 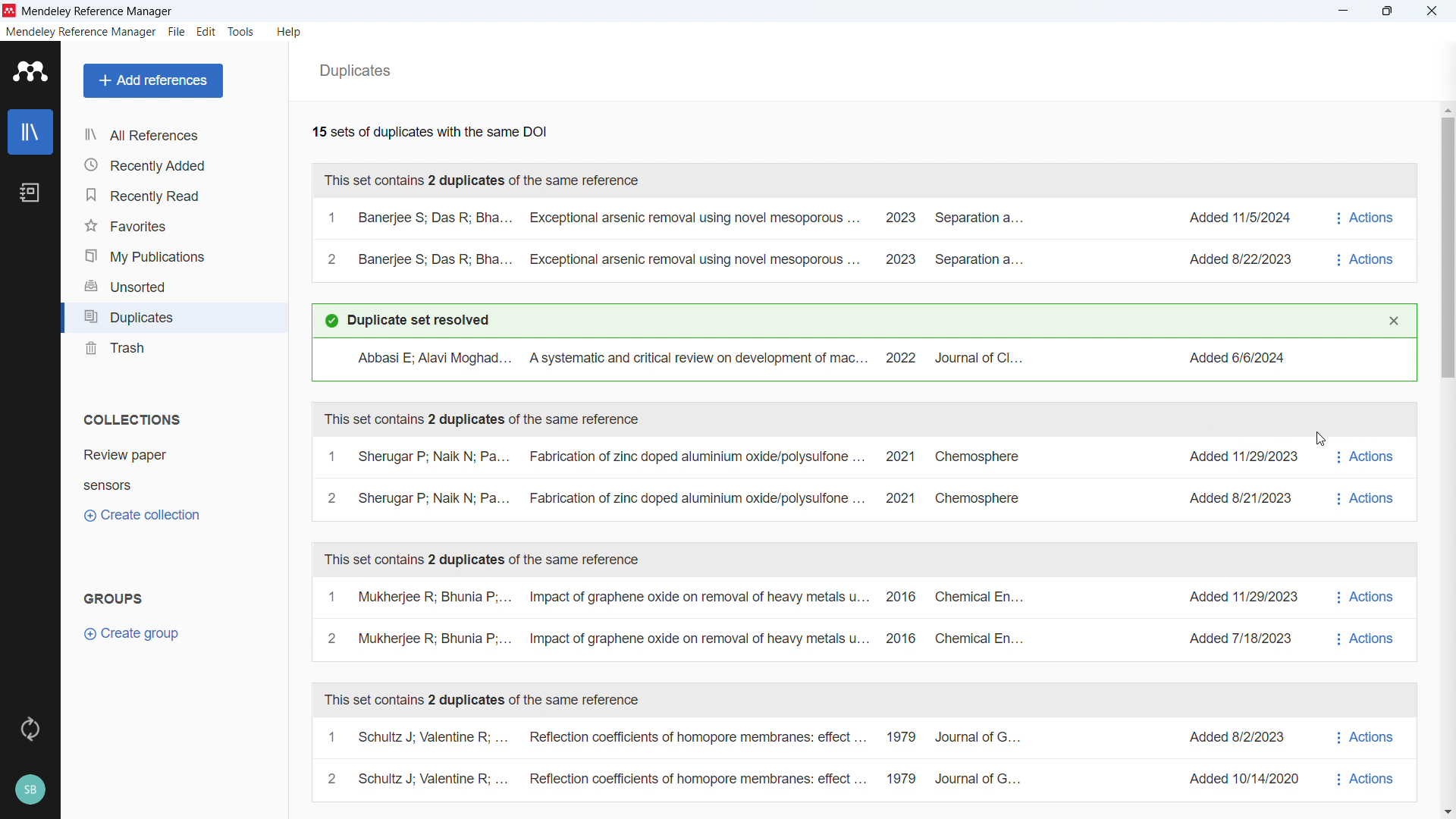 I want to click on groups, so click(x=114, y=598).